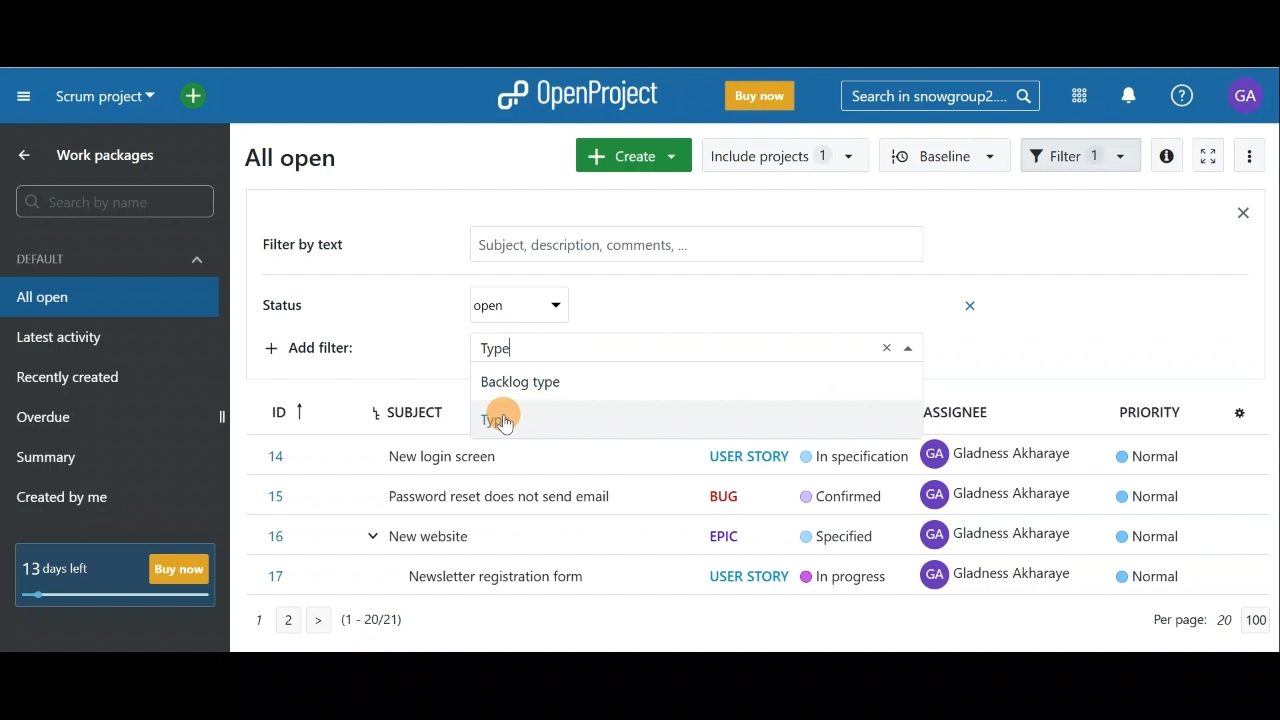 The width and height of the screenshot is (1280, 720). Describe the element at coordinates (1193, 96) in the screenshot. I see `Help` at that location.